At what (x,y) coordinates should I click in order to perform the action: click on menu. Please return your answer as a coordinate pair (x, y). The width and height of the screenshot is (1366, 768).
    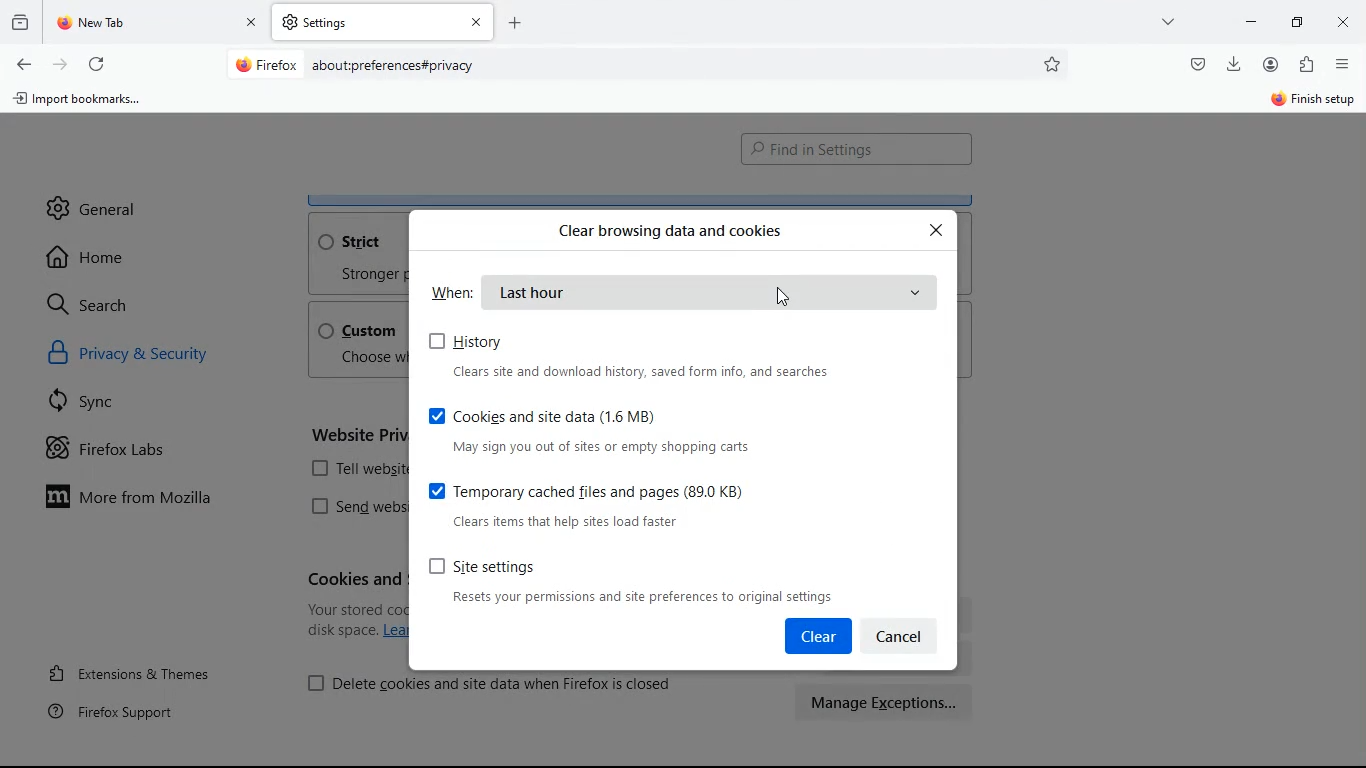
    Looking at the image, I should click on (1343, 64).